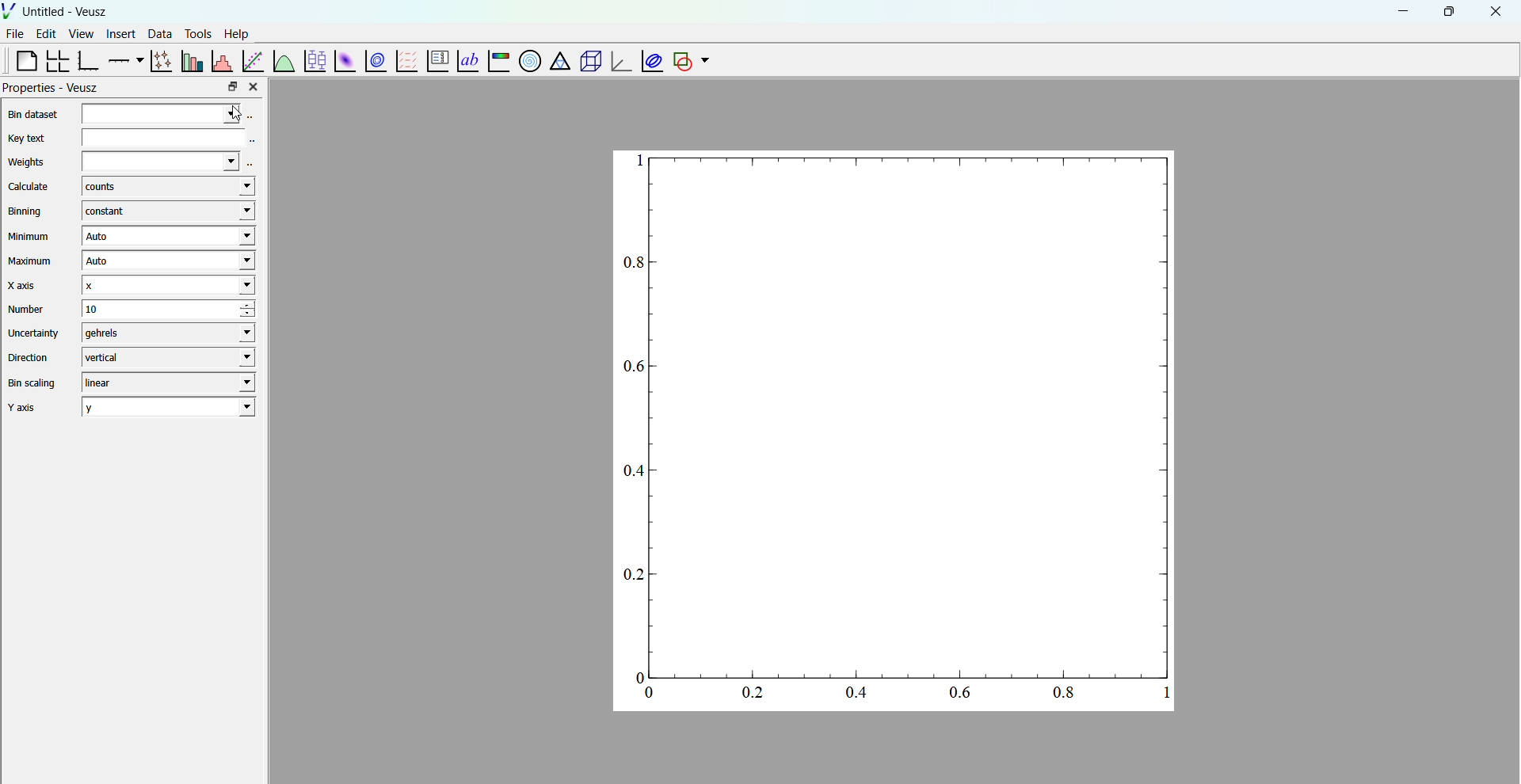  I want to click on maximize, so click(1447, 10).